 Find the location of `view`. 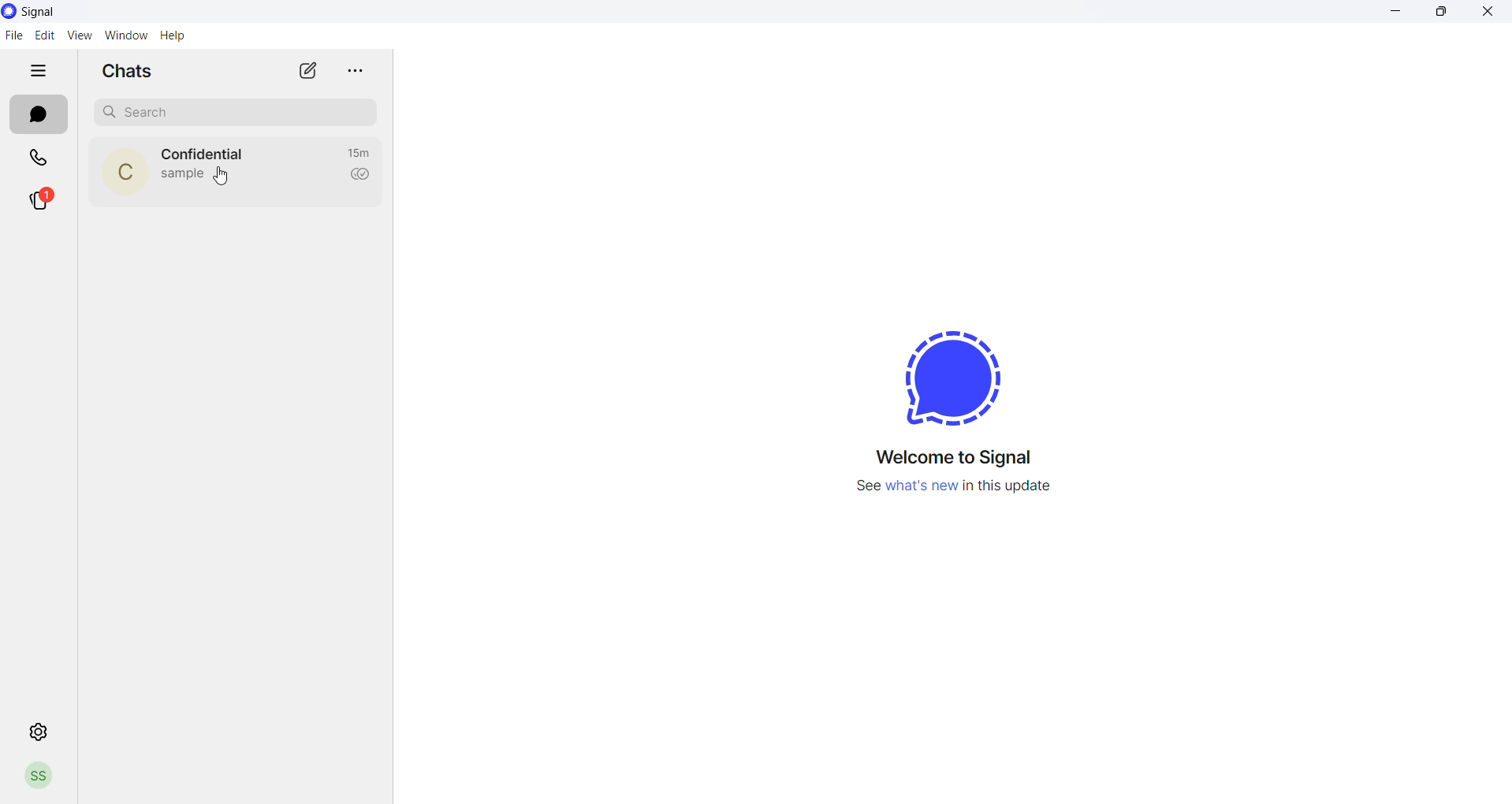

view is located at coordinates (78, 35).